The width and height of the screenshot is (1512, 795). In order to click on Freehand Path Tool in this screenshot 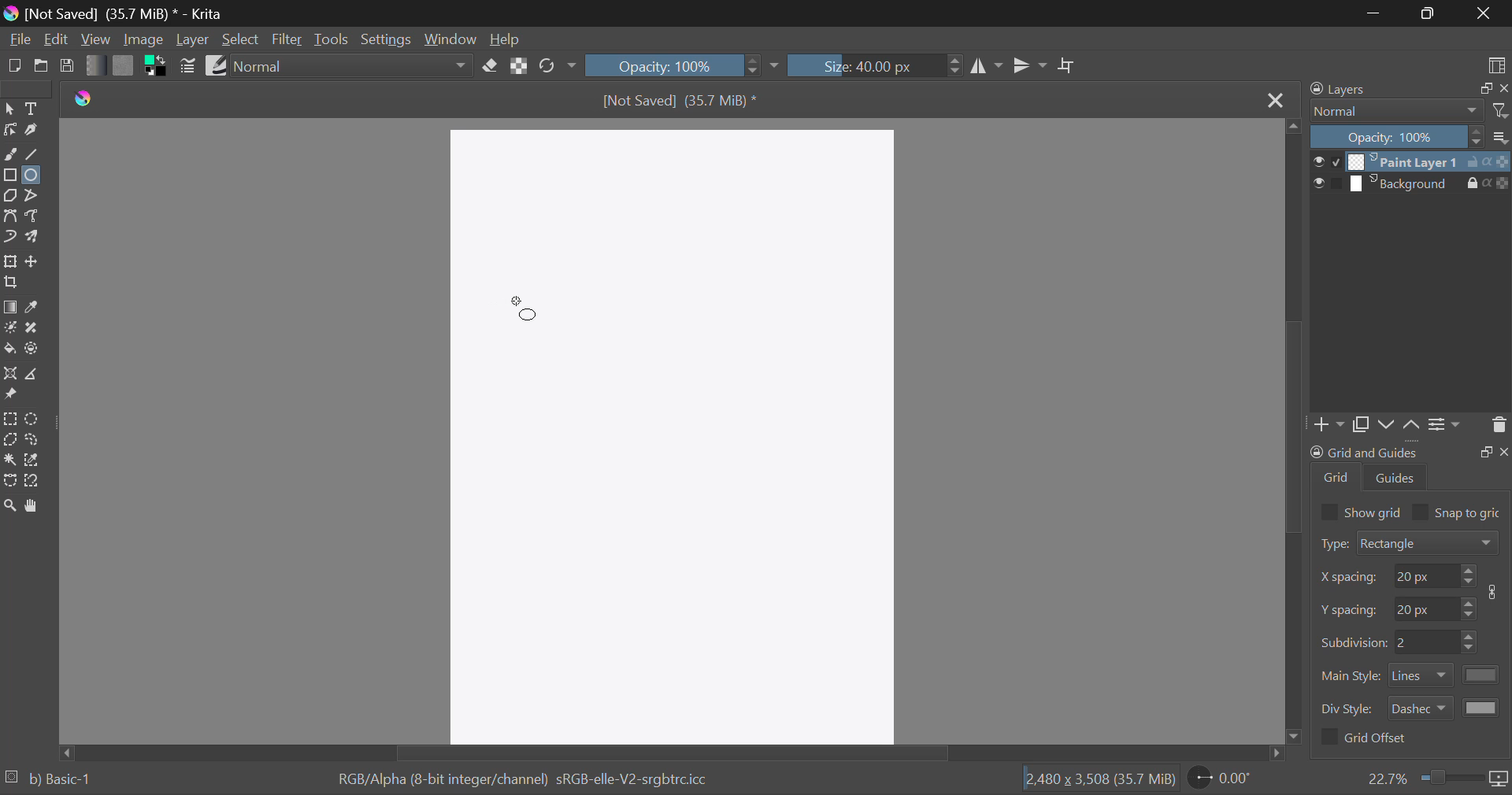, I will do `click(33, 215)`.